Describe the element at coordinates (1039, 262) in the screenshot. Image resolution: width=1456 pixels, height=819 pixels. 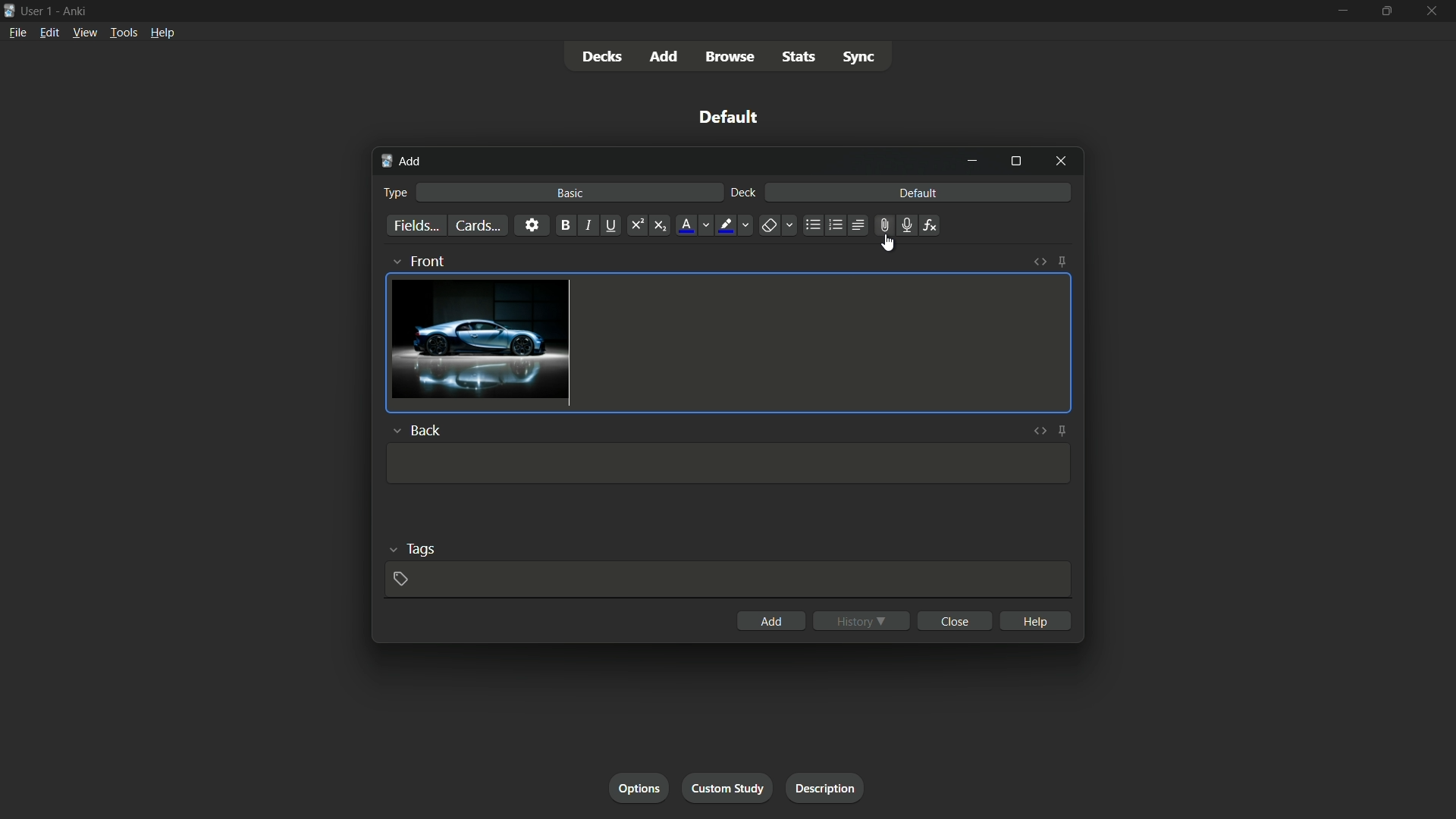
I see `toggle html editor` at that location.